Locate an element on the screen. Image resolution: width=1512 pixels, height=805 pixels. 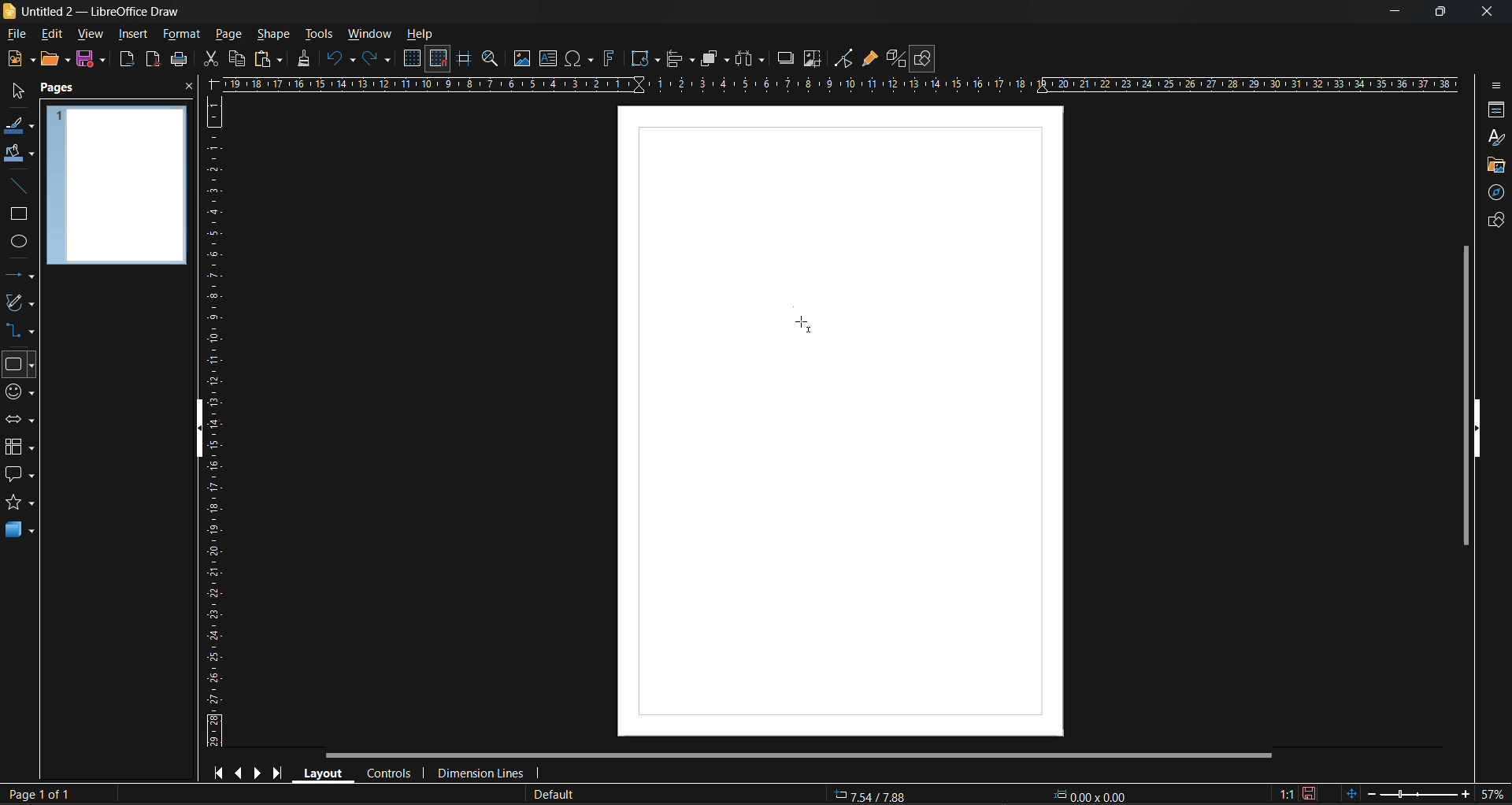
curves and polygons is located at coordinates (20, 301).